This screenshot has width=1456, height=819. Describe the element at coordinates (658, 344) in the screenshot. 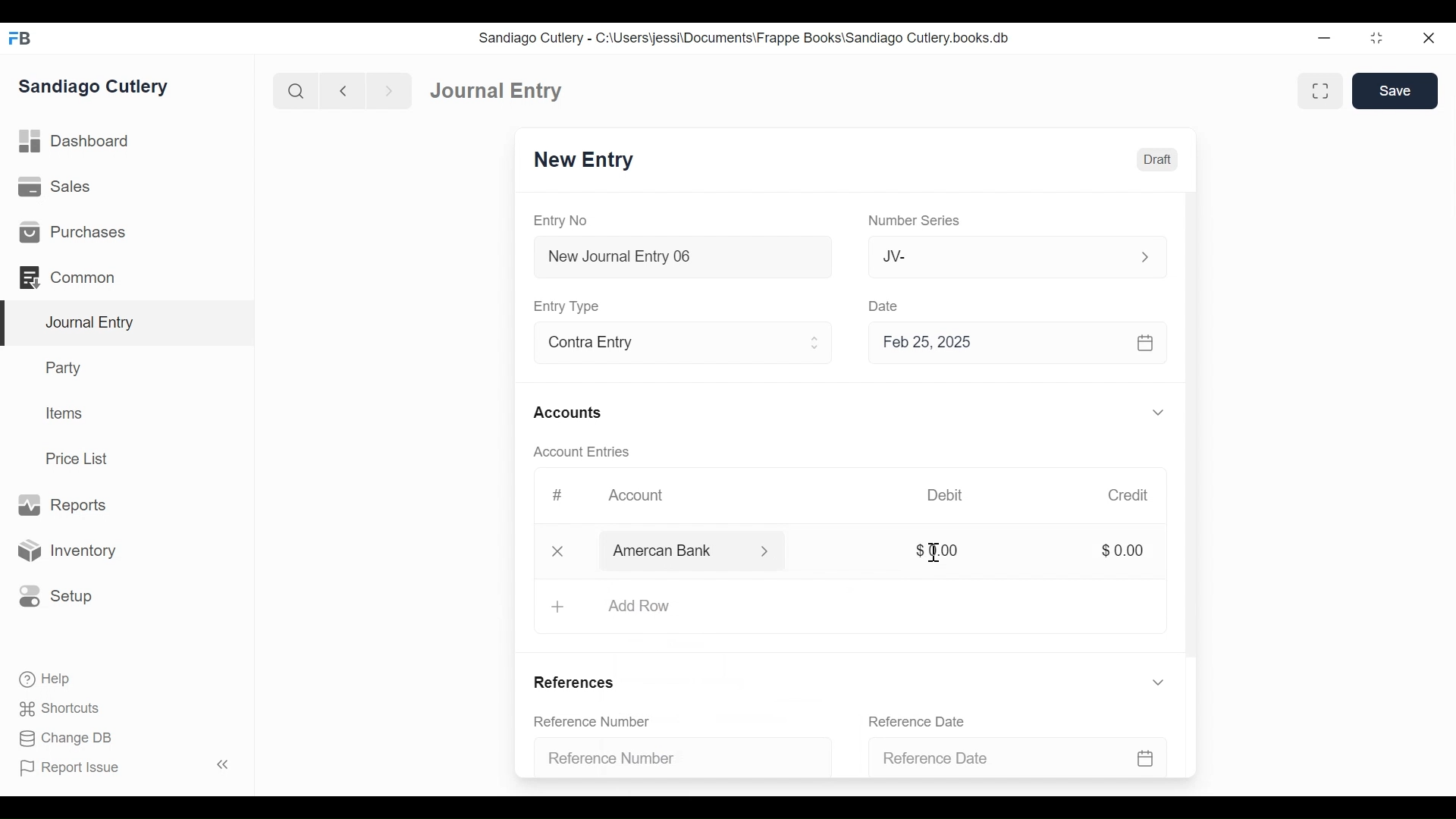

I see `Contra Entry` at that location.